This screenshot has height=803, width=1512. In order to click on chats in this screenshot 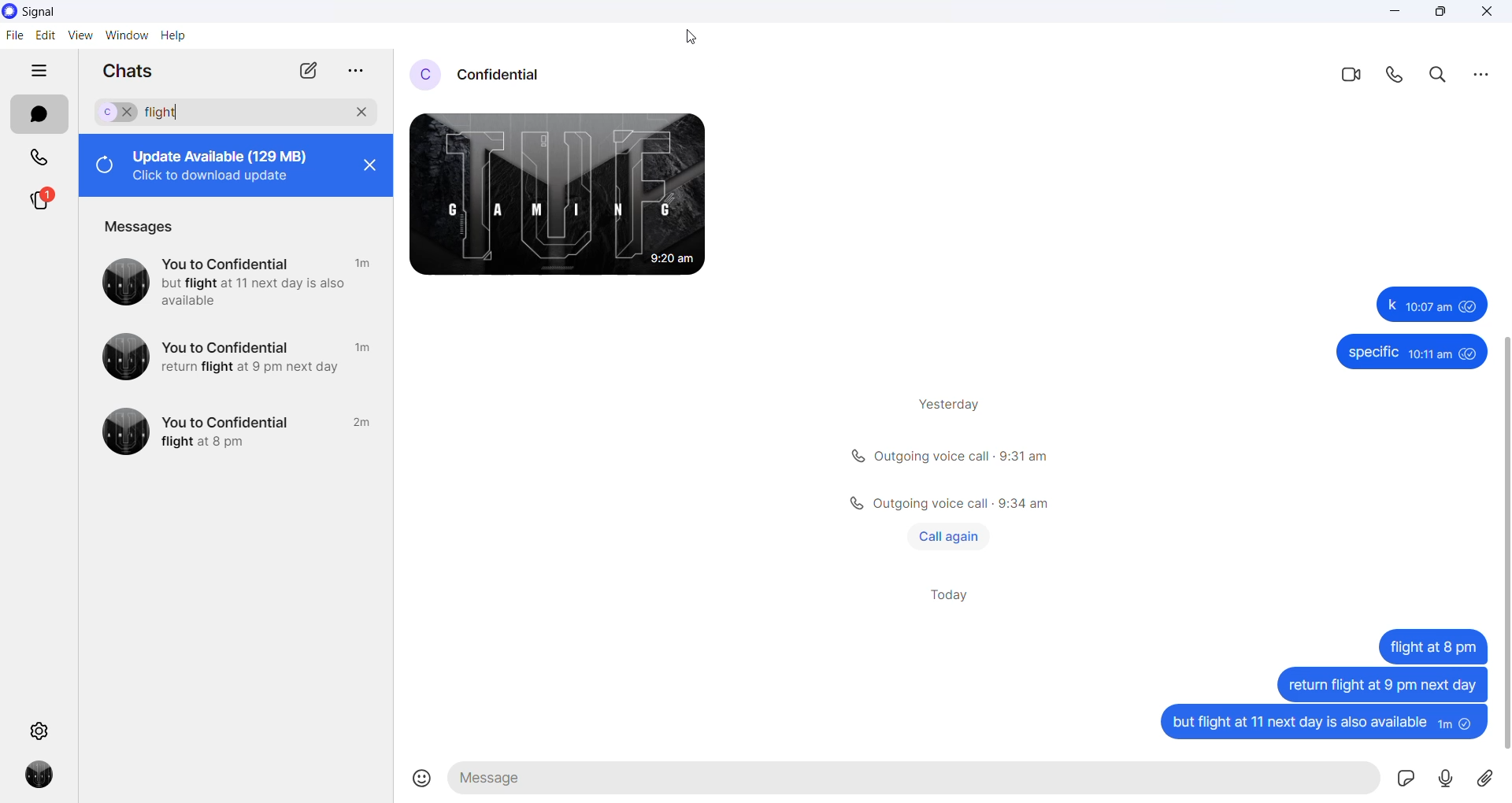, I will do `click(39, 114)`.